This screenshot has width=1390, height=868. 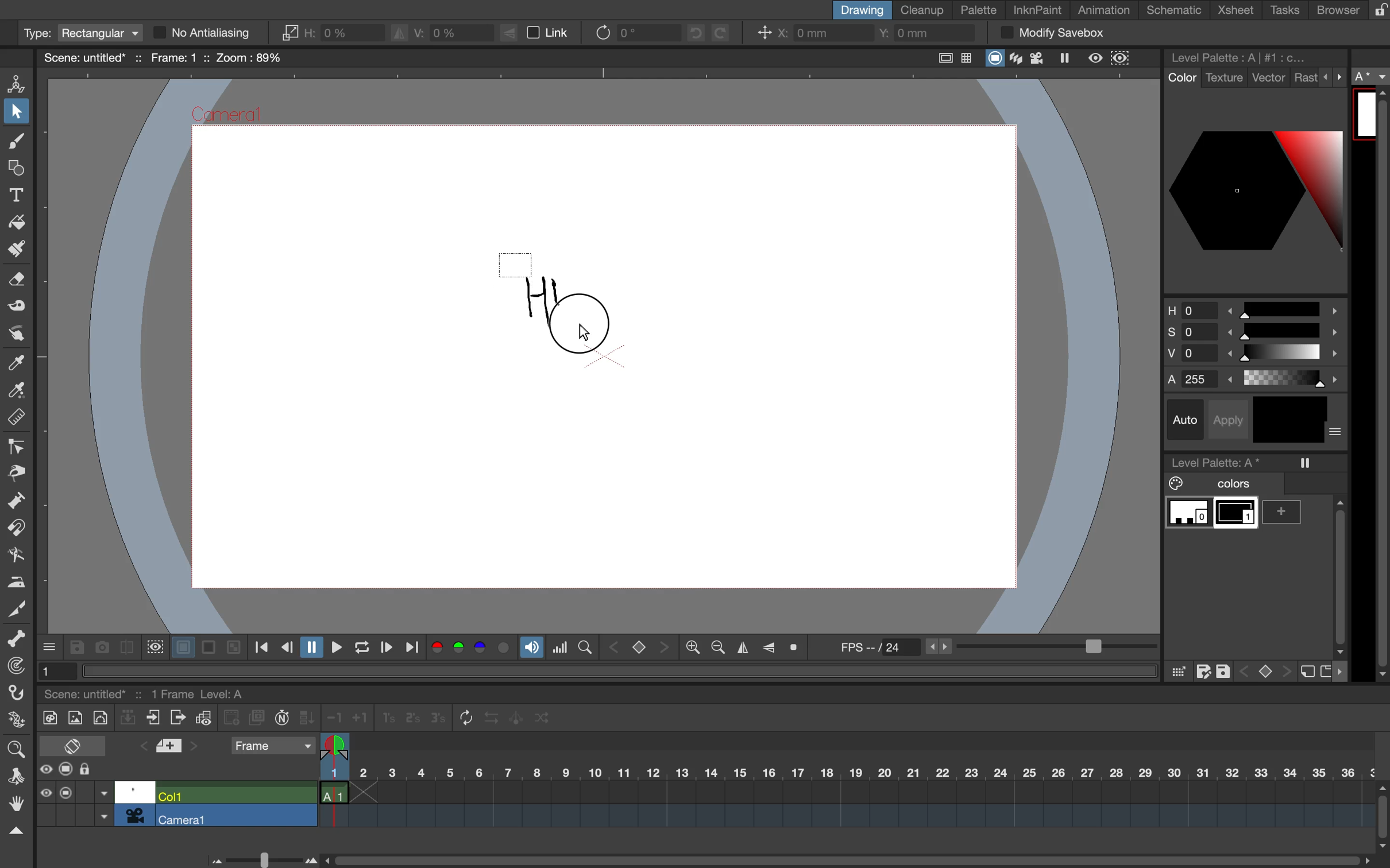 What do you see at coordinates (1257, 356) in the screenshot?
I see `brightness` at bounding box center [1257, 356].